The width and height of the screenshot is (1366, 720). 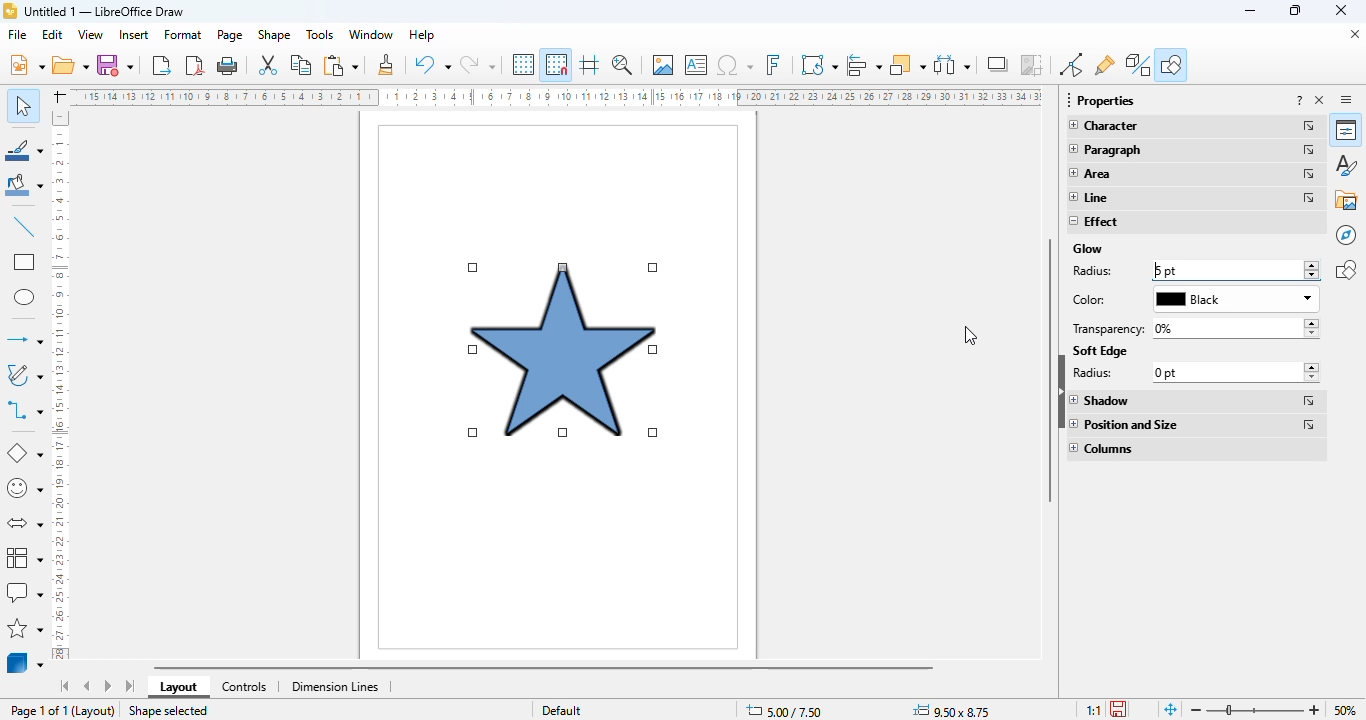 What do you see at coordinates (134, 34) in the screenshot?
I see `insert` at bounding box center [134, 34].